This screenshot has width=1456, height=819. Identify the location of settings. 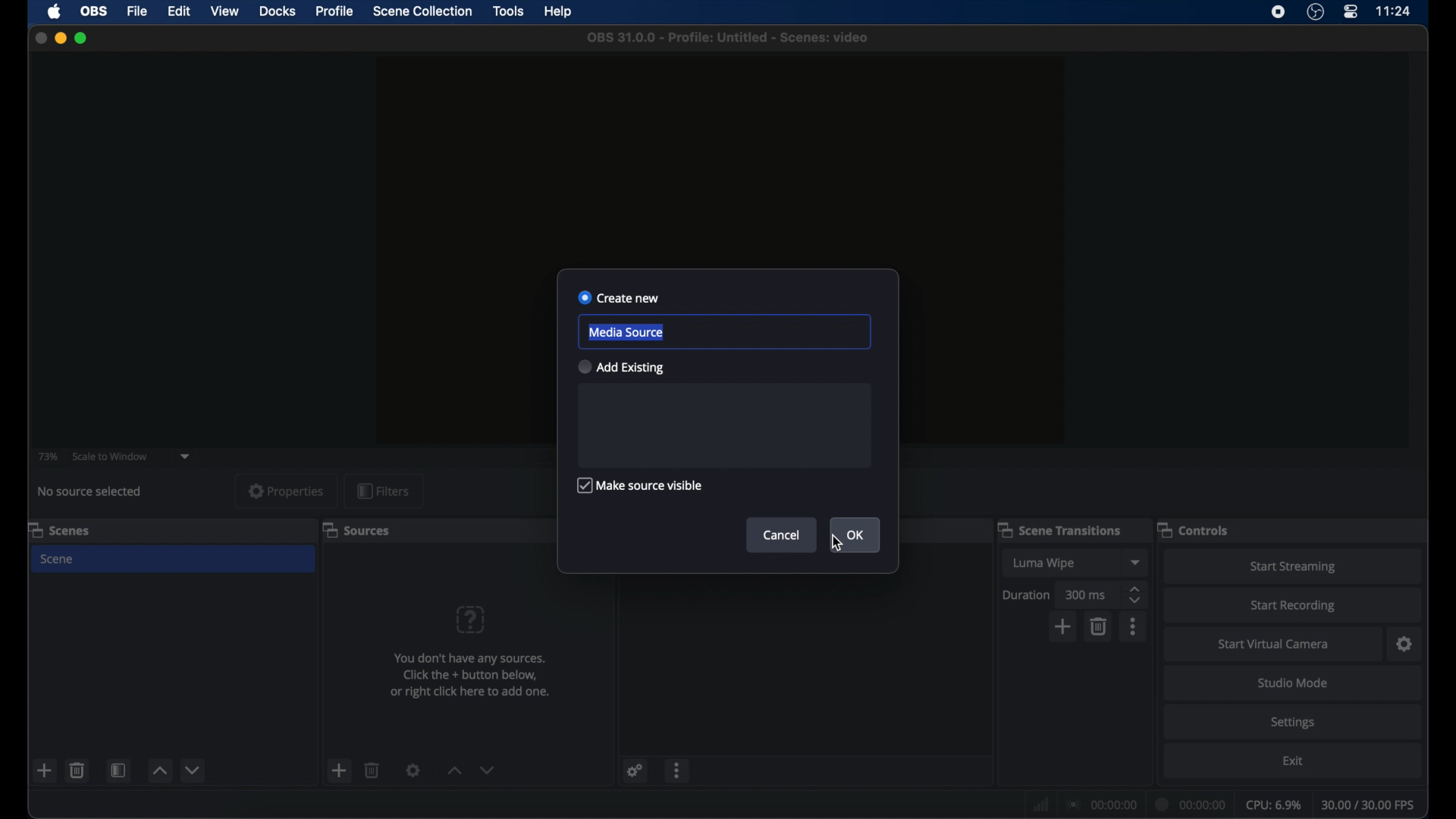
(635, 770).